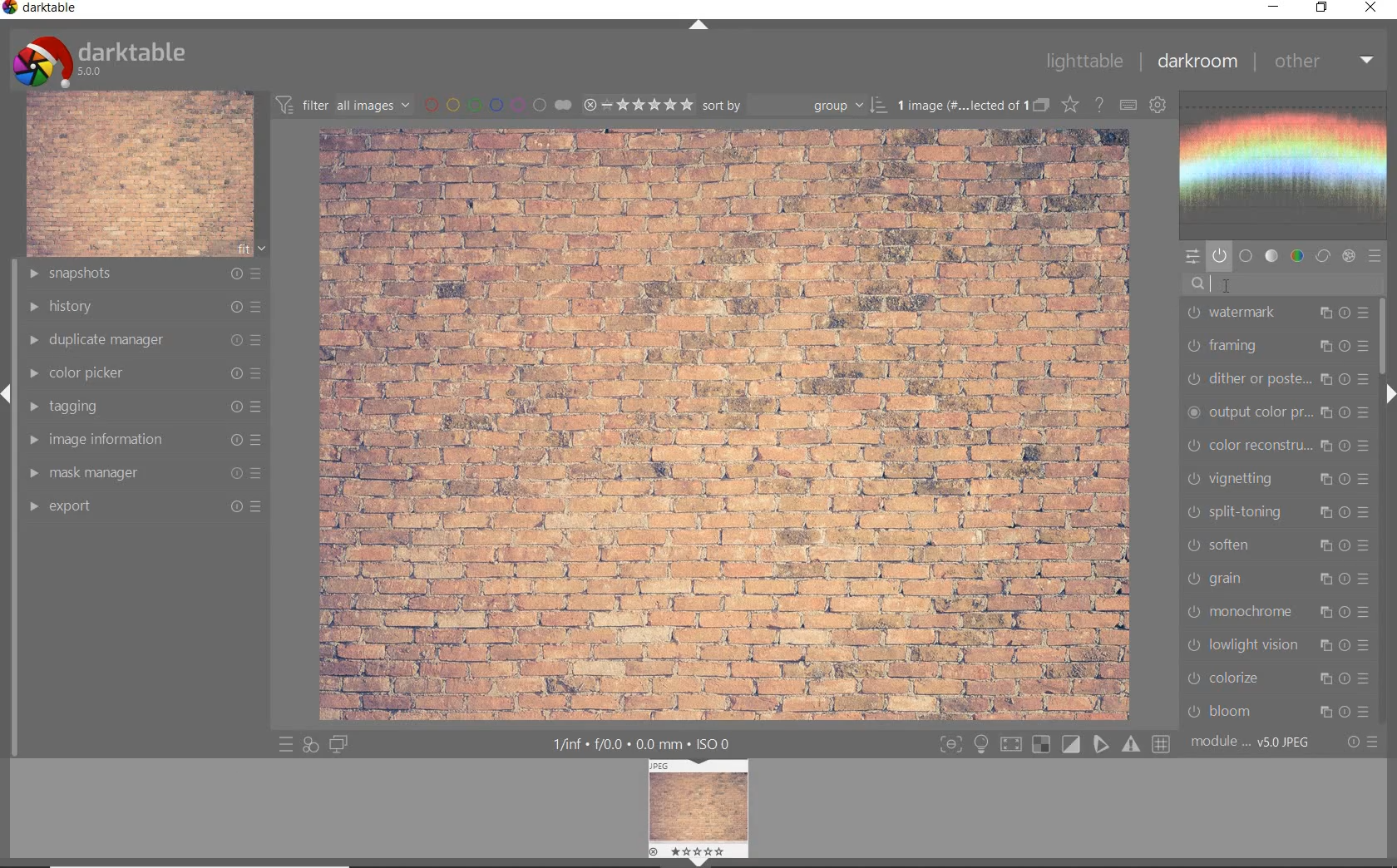 The width and height of the screenshot is (1397, 868). What do you see at coordinates (1325, 62) in the screenshot?
I see `other` at bounding box center [1325, 62].